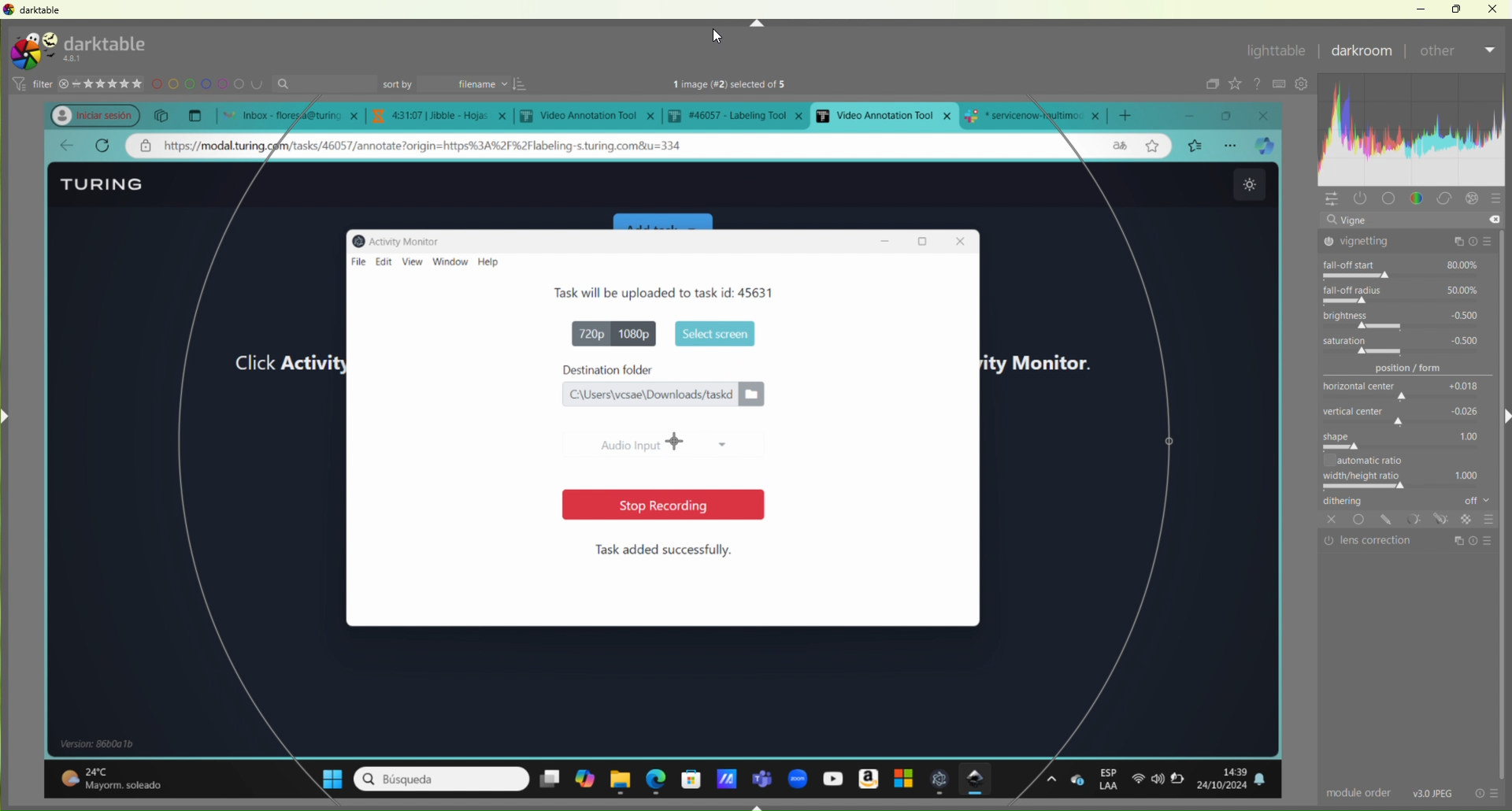 The width and height of the screenshot is (1512, 811). Describe the element at coordinates (1503, 415) in the screenshot. I see `Right` at that location.